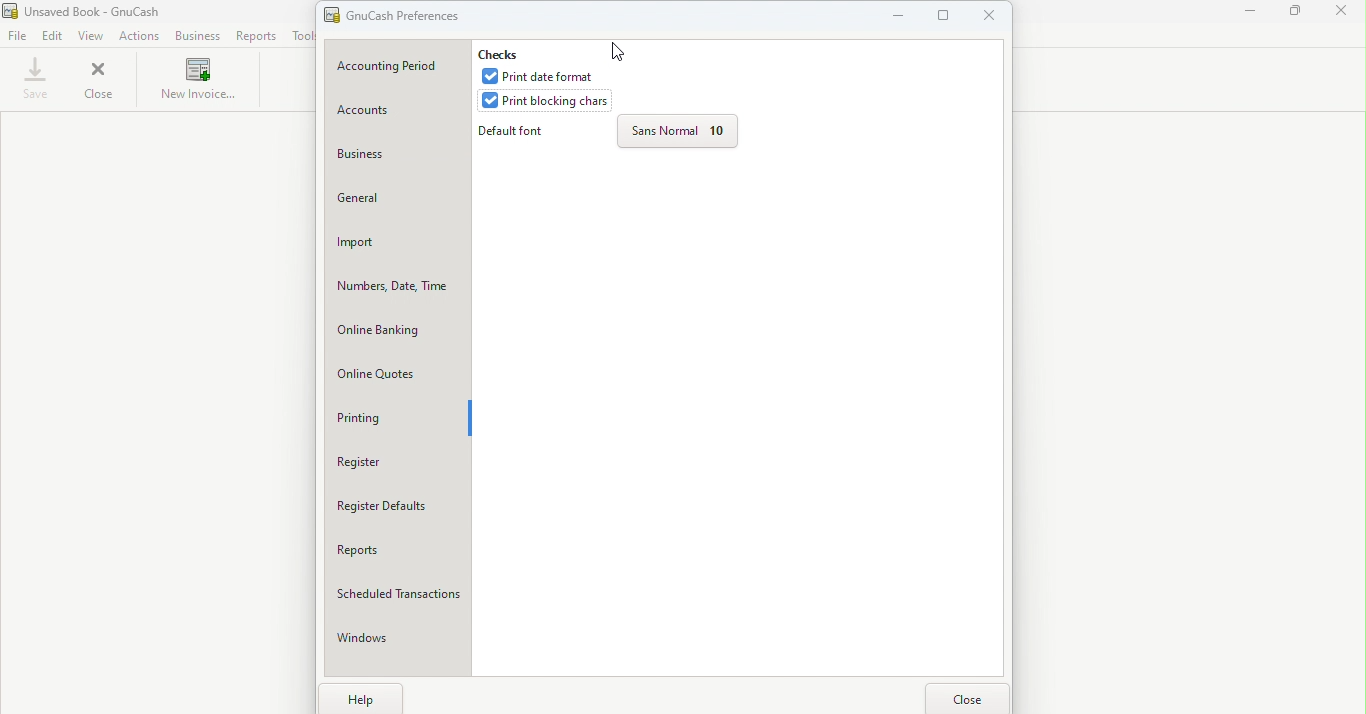  What do you see at coordinates (56, 37) in the screenshot?
I see `Edit` at bounding box center [56, 37].